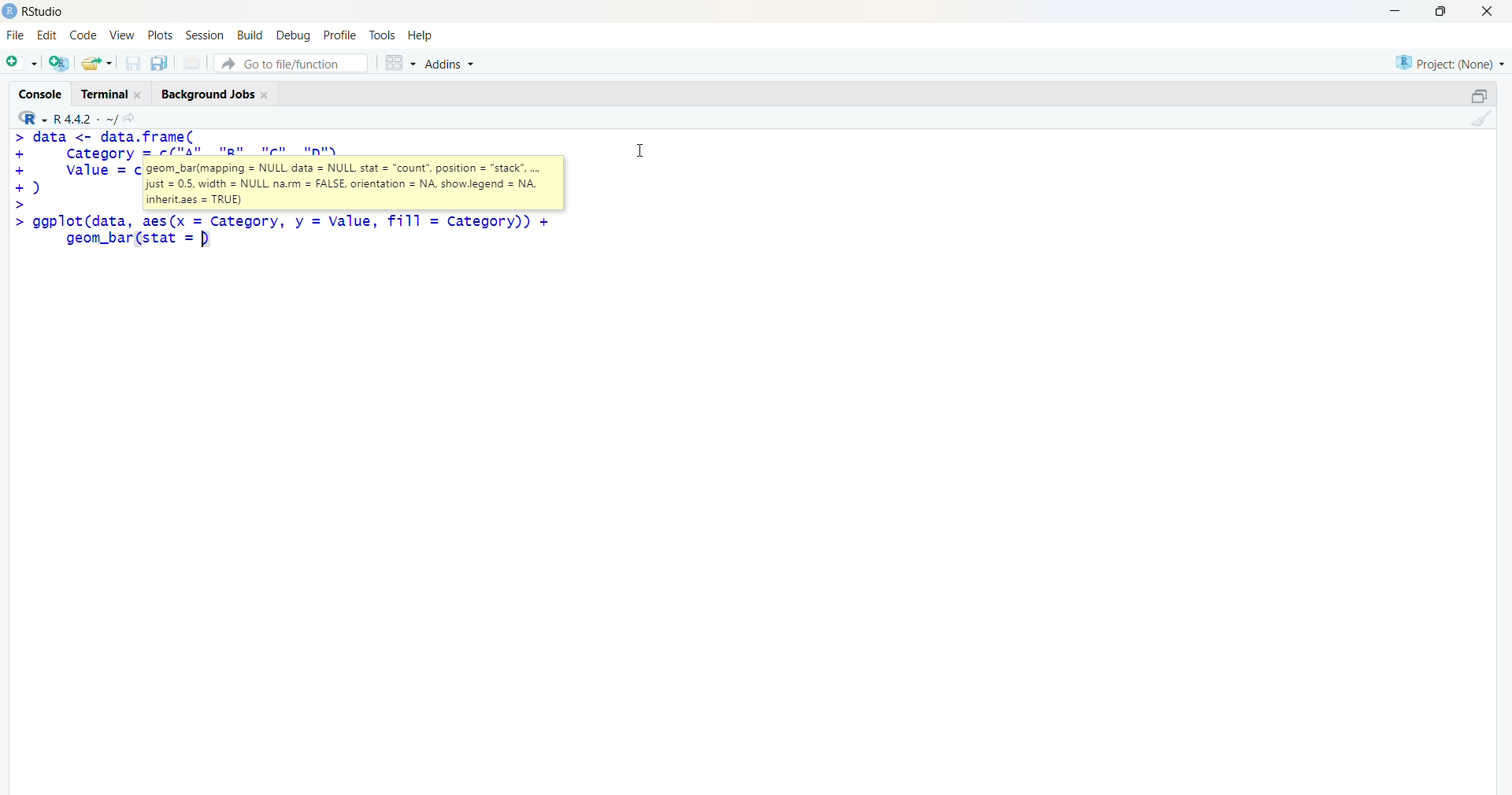 This screenshot has width=1512, height=795. What do you see at coordinates (399, 62) in the screenshot?
I see `grid view` at bounding box center [399, 62].